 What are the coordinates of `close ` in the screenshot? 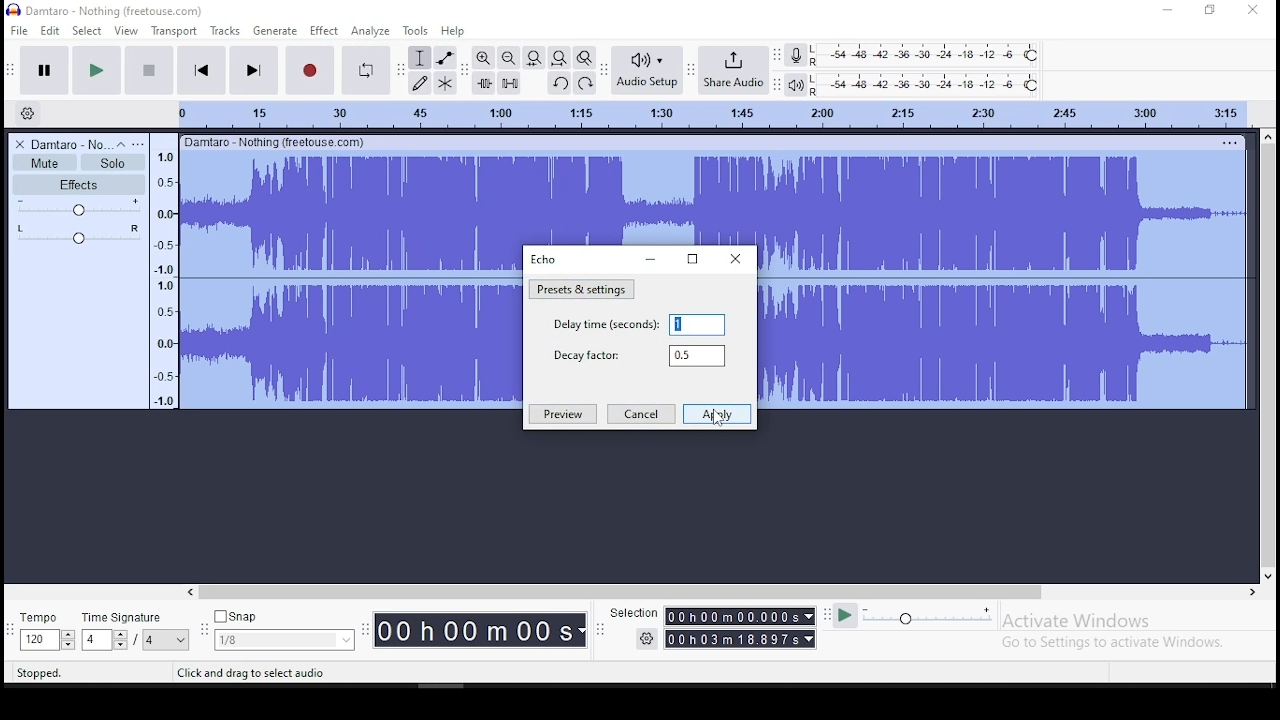 It's located at (1250, 10).